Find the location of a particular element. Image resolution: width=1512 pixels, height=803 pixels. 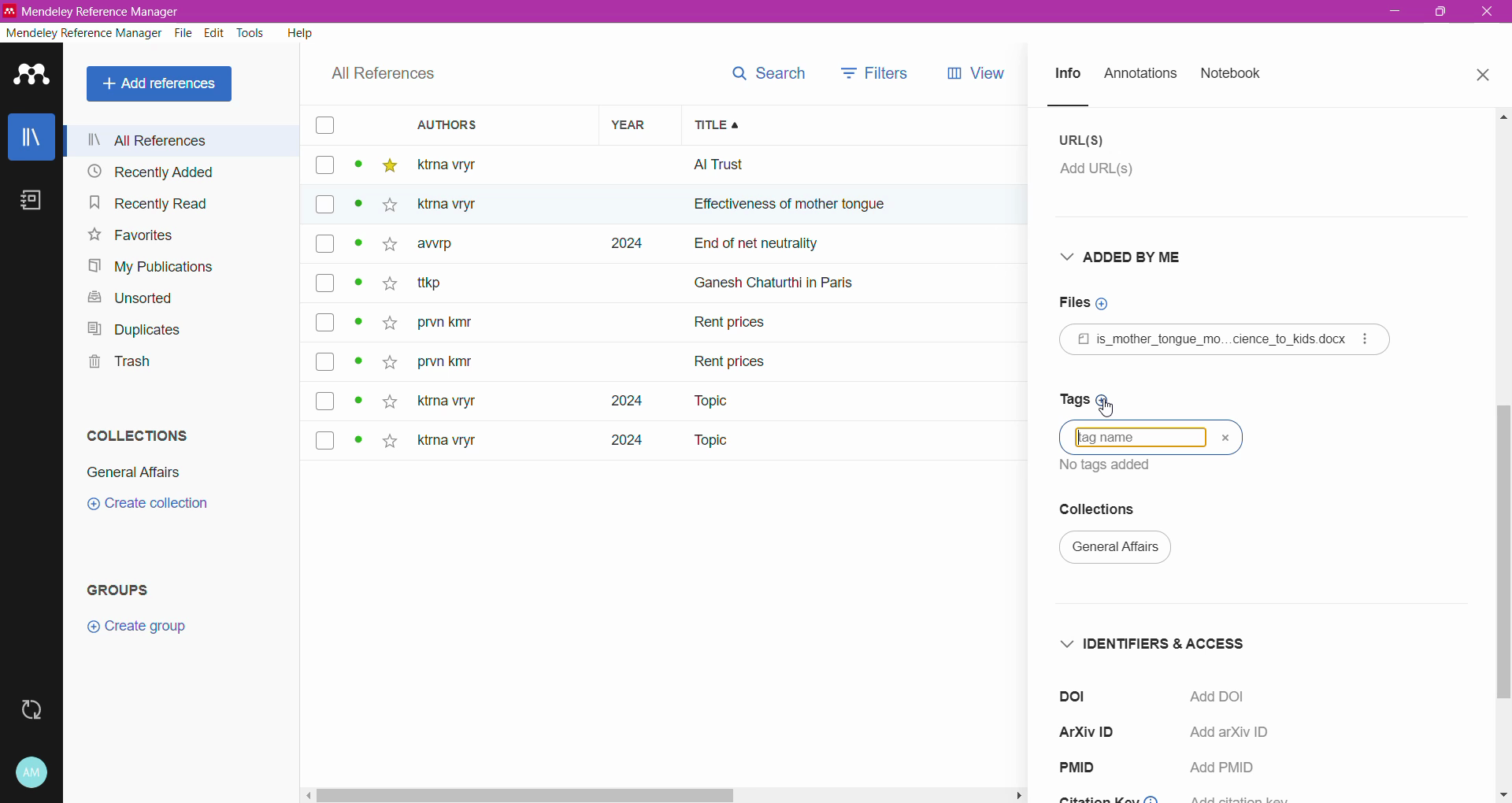

star is located at coordinates (387, 324).